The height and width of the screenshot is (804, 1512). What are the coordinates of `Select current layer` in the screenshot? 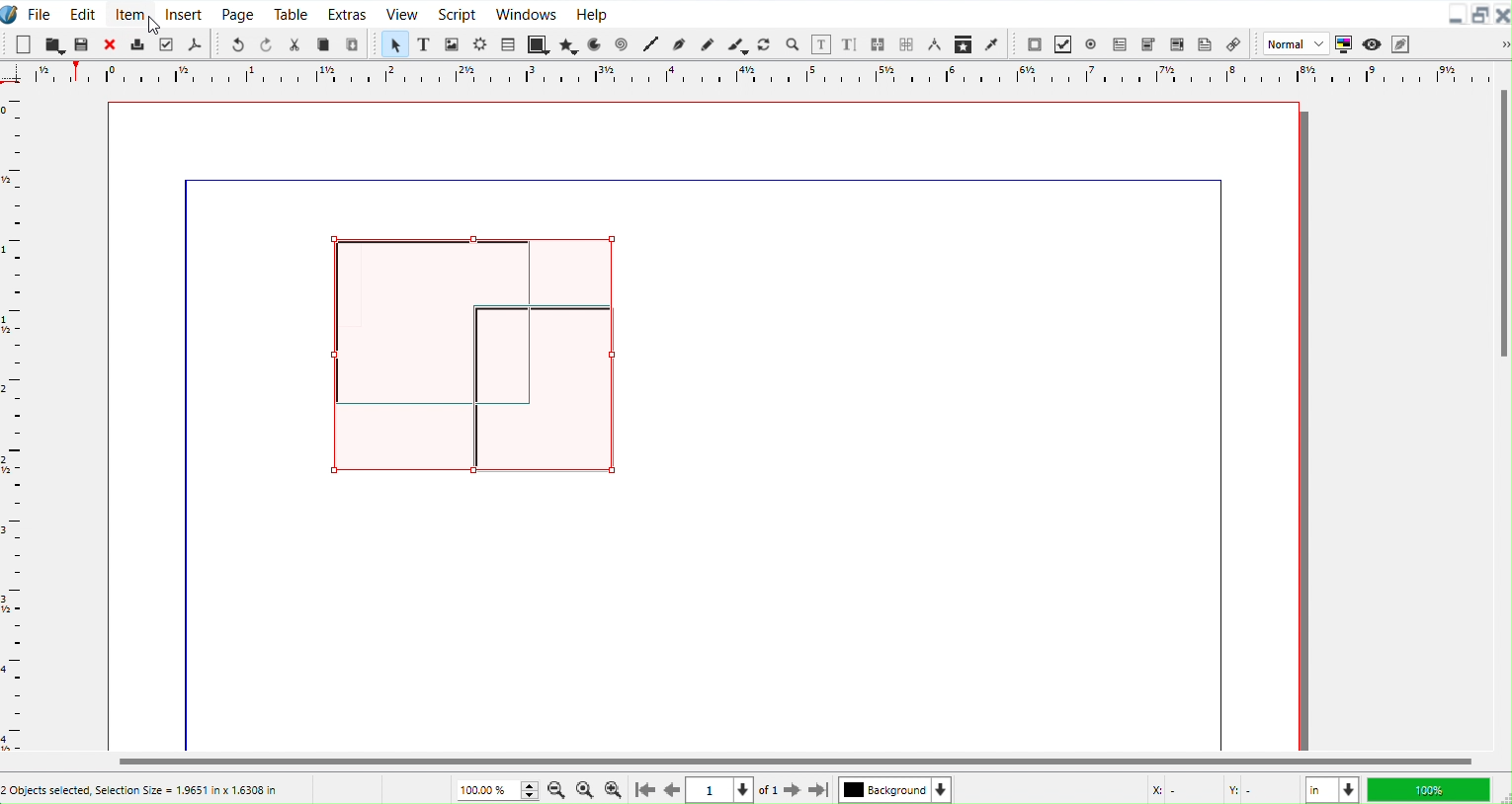 It's located at (895, 789).